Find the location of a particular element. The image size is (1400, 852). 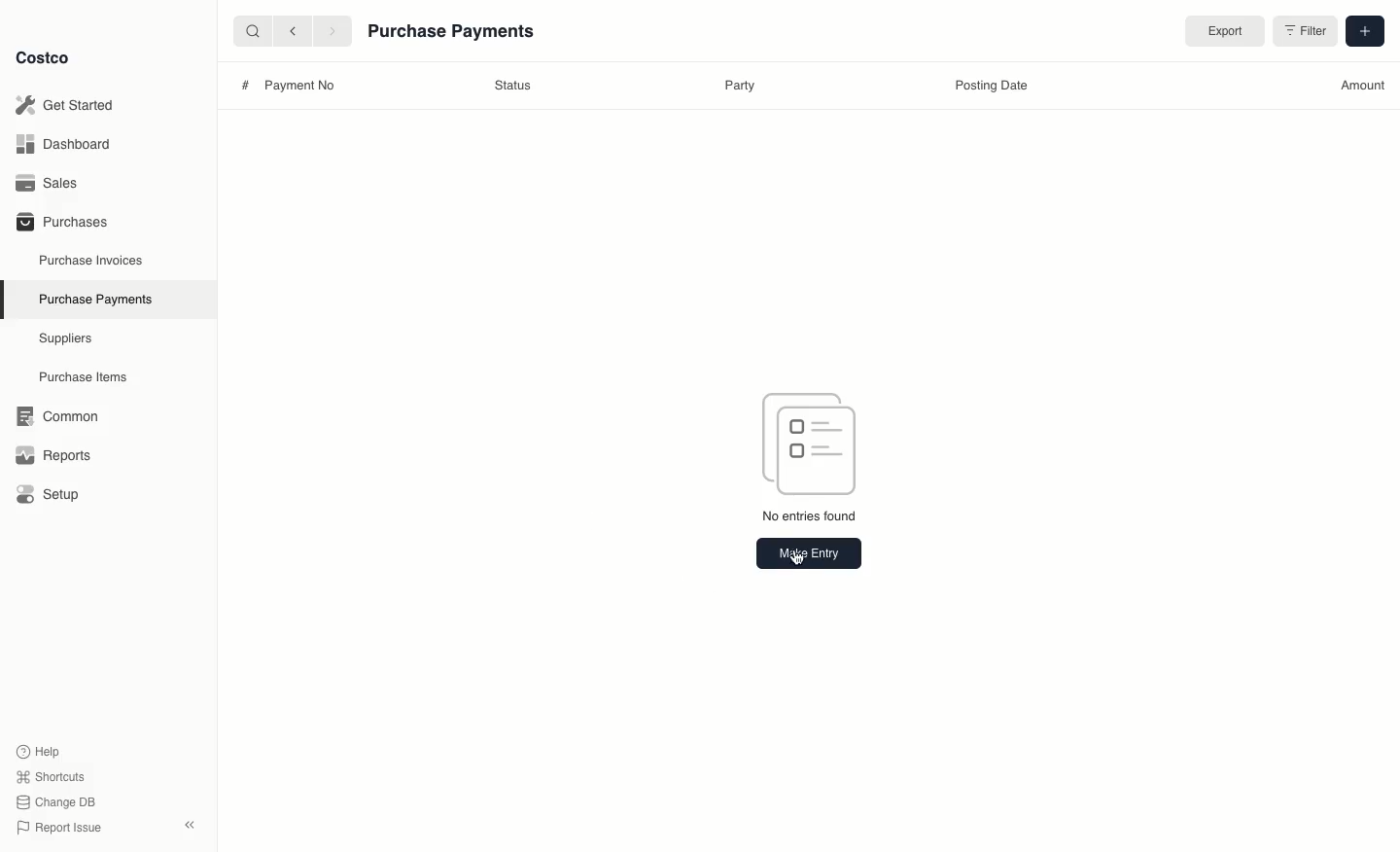

Party is located at coordinates (742, 86).